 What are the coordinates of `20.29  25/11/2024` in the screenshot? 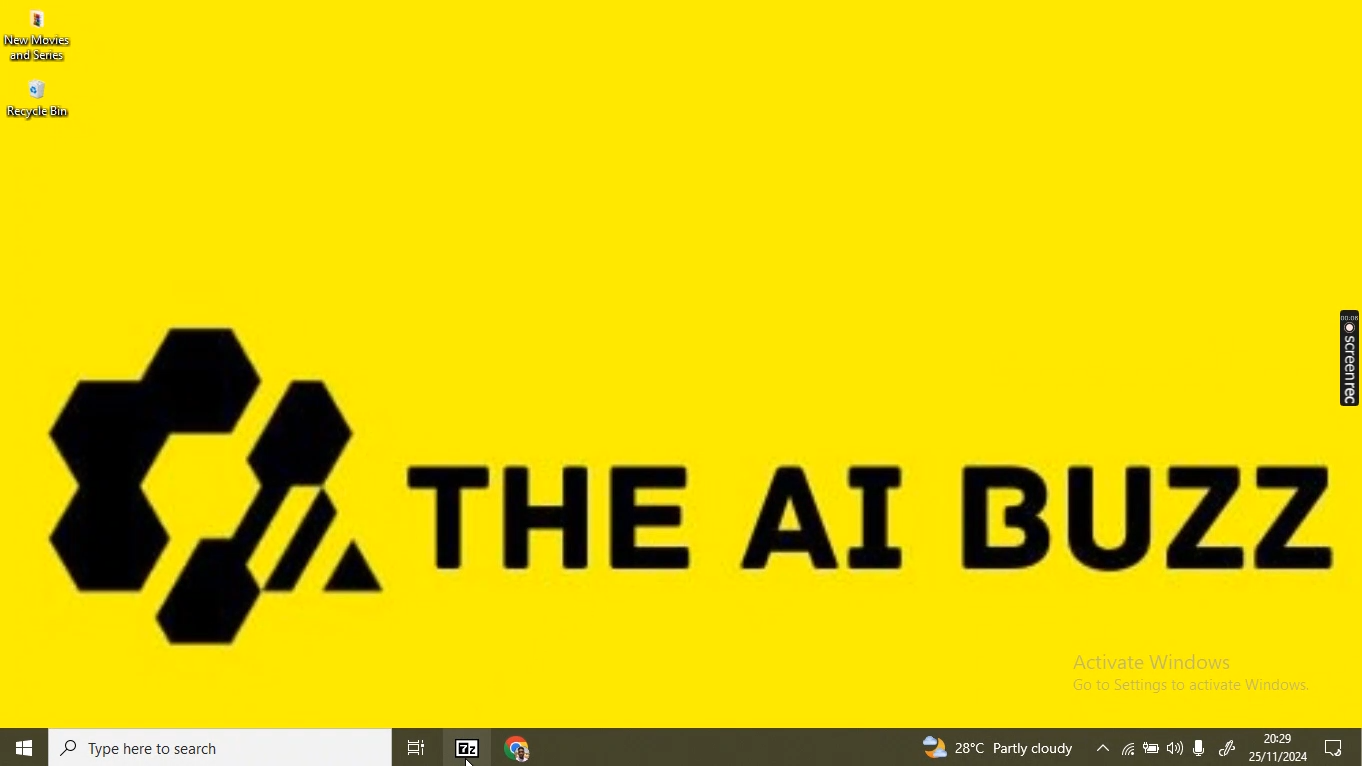 It's located at (1277, 749).